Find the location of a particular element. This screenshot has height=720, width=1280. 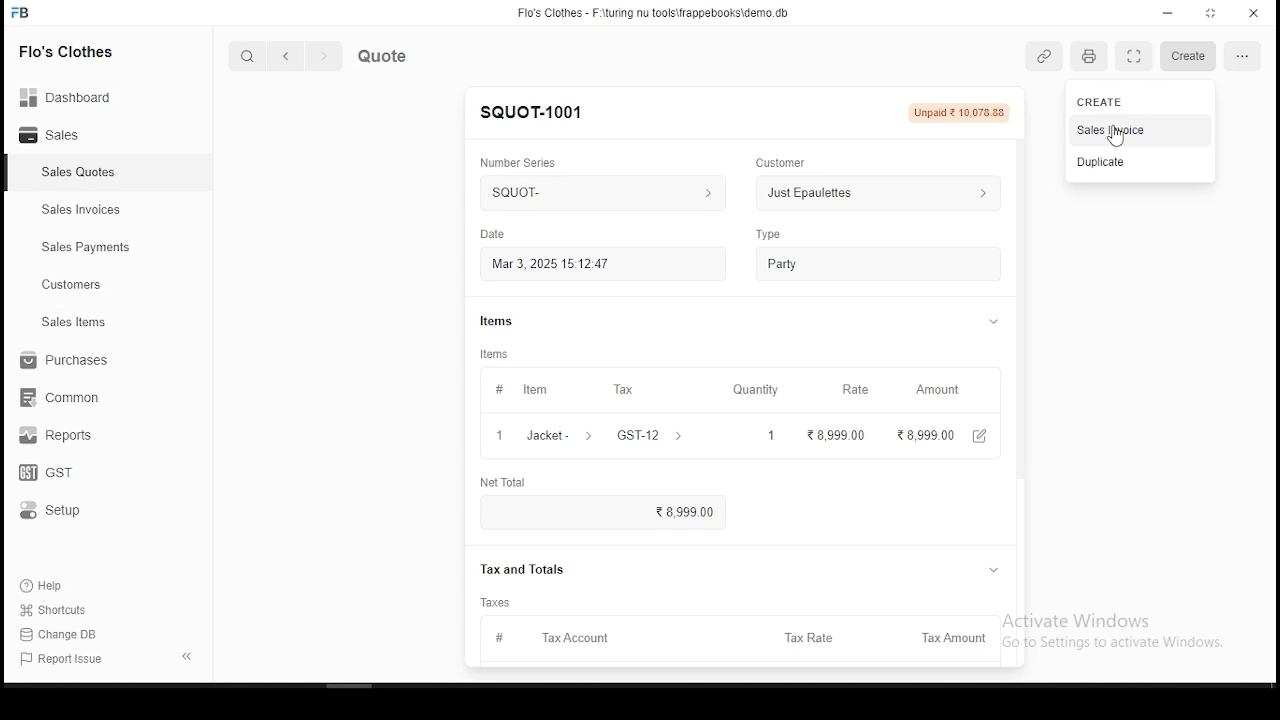

next is located at coordinates (325, 58).